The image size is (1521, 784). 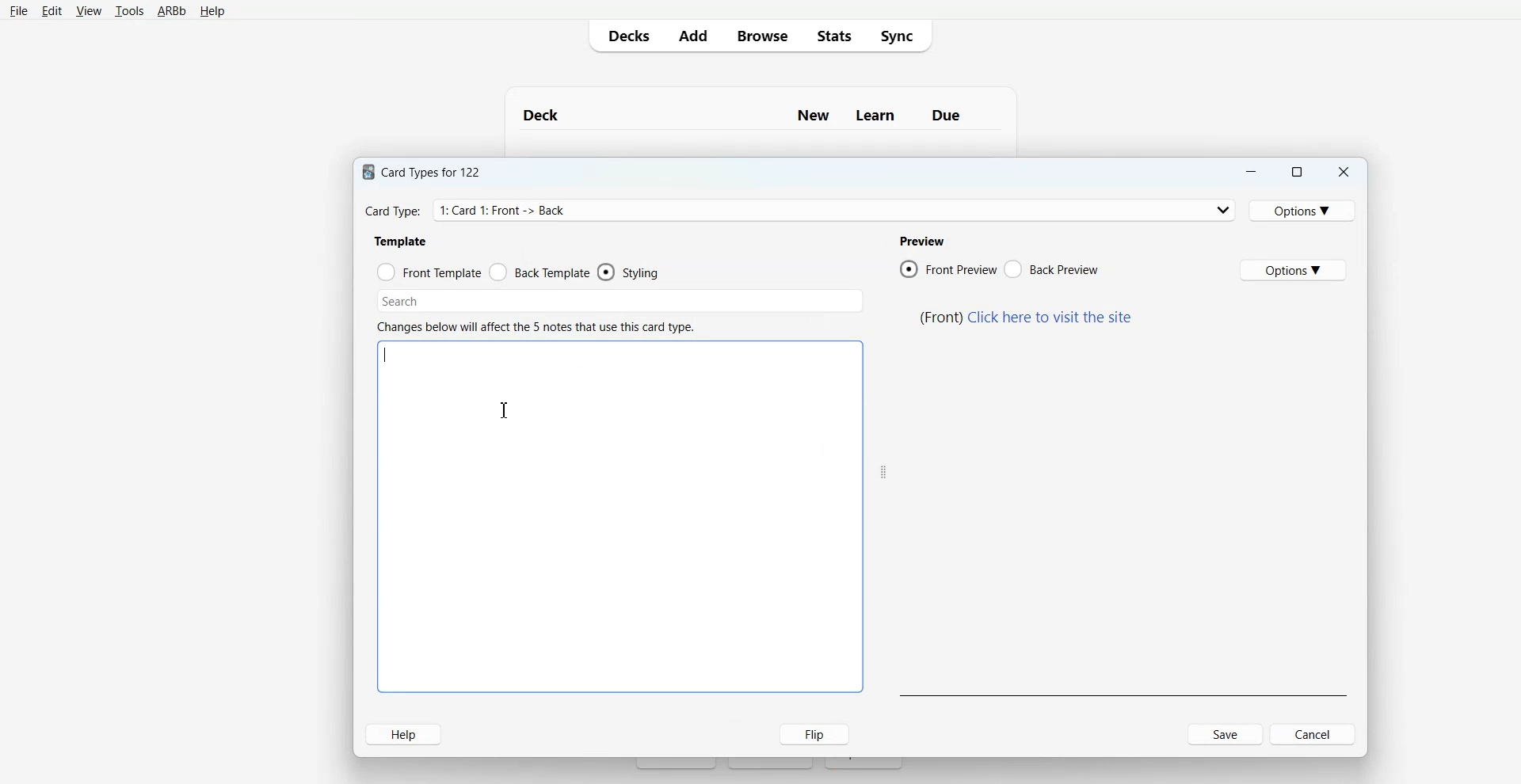 I want to click on Cancel, so click(x=1284, y=734).